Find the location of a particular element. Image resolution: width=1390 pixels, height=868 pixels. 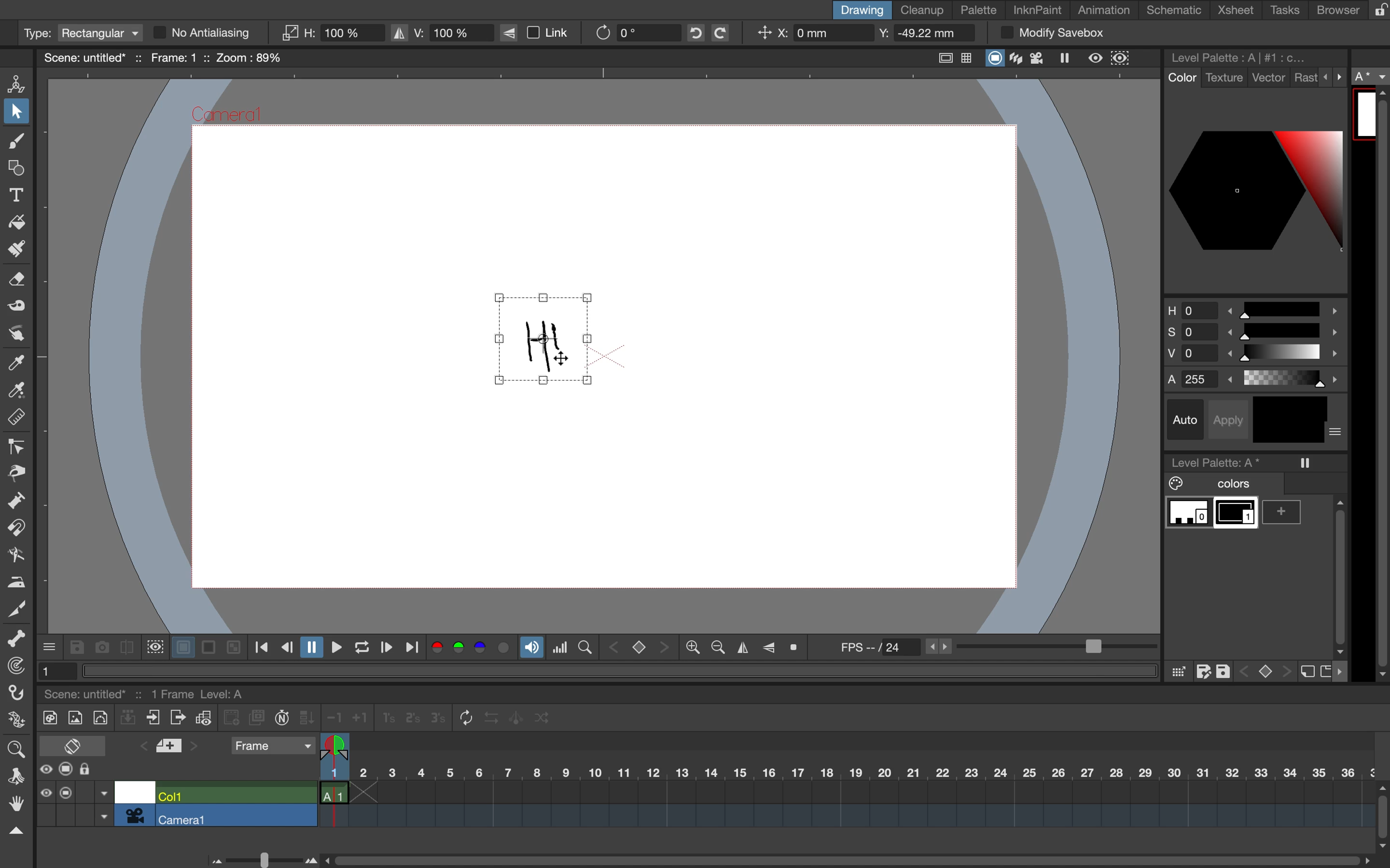

colors is located at coordinates (472, 649).